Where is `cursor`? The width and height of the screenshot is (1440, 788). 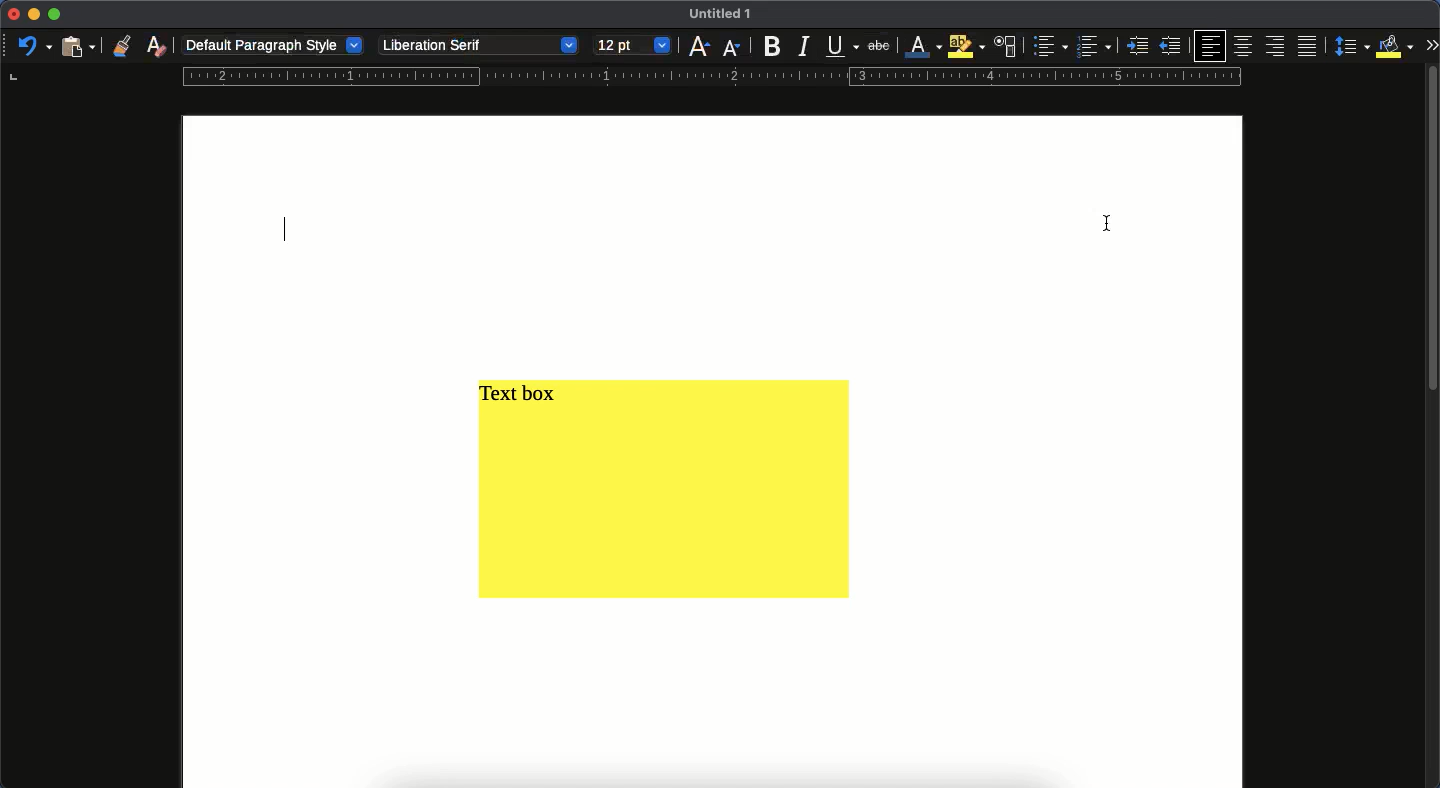 cursor is located at coordinates (1113, 221).